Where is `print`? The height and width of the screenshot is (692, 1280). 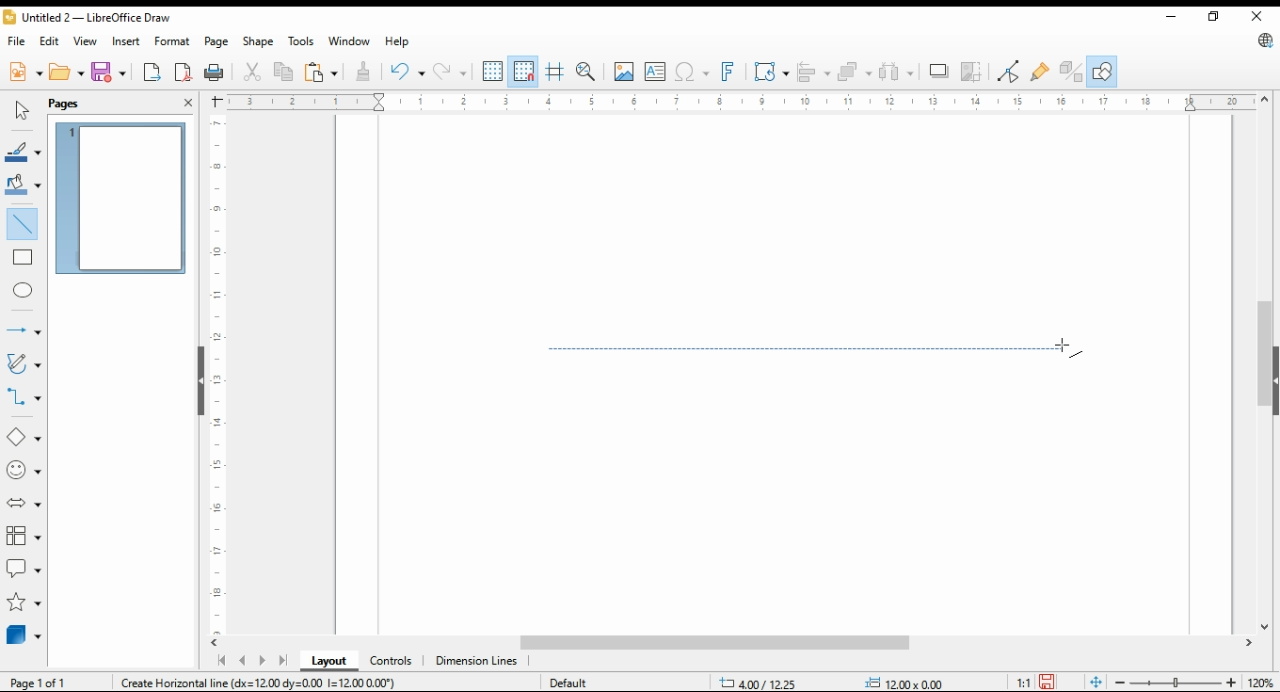 print is located at coordinates (215, 72).